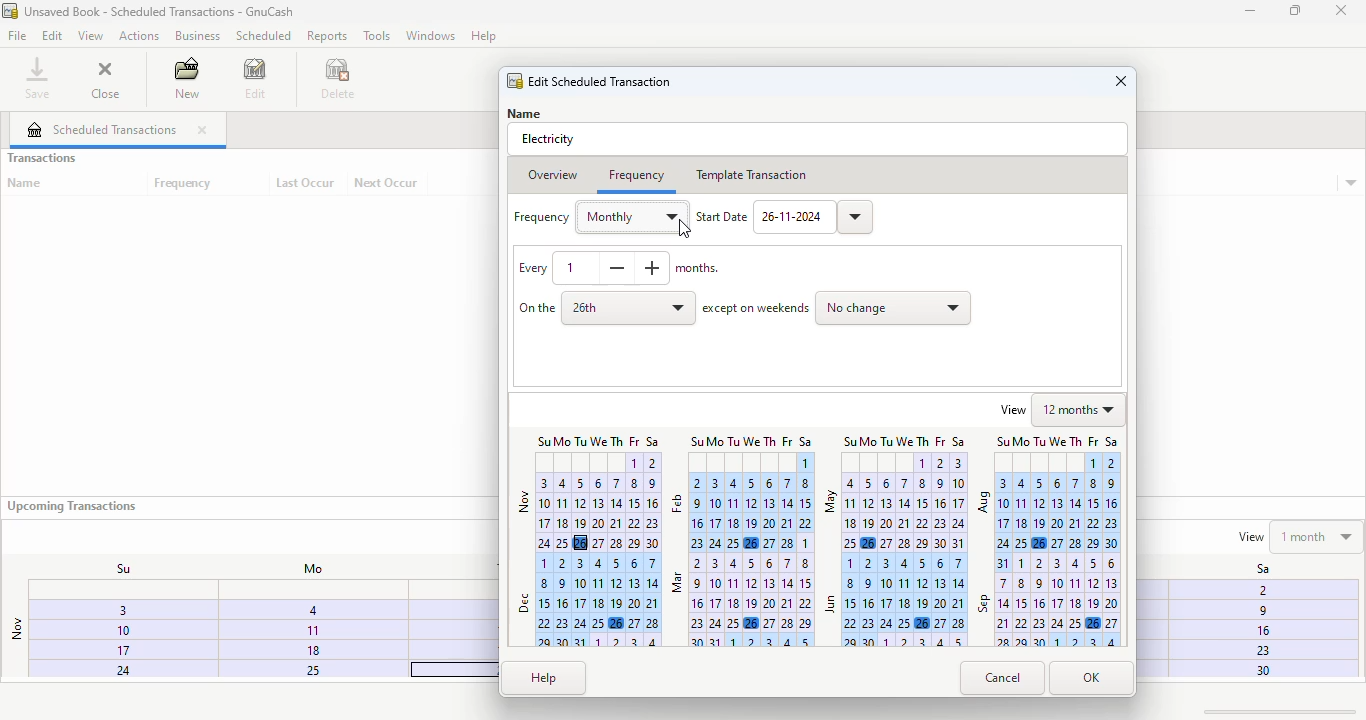 This screenshot has width=1366, height=720. What do you see at coordinates (312, 609) in the screenshot?
I see `4` at bounding box center [312, 609].